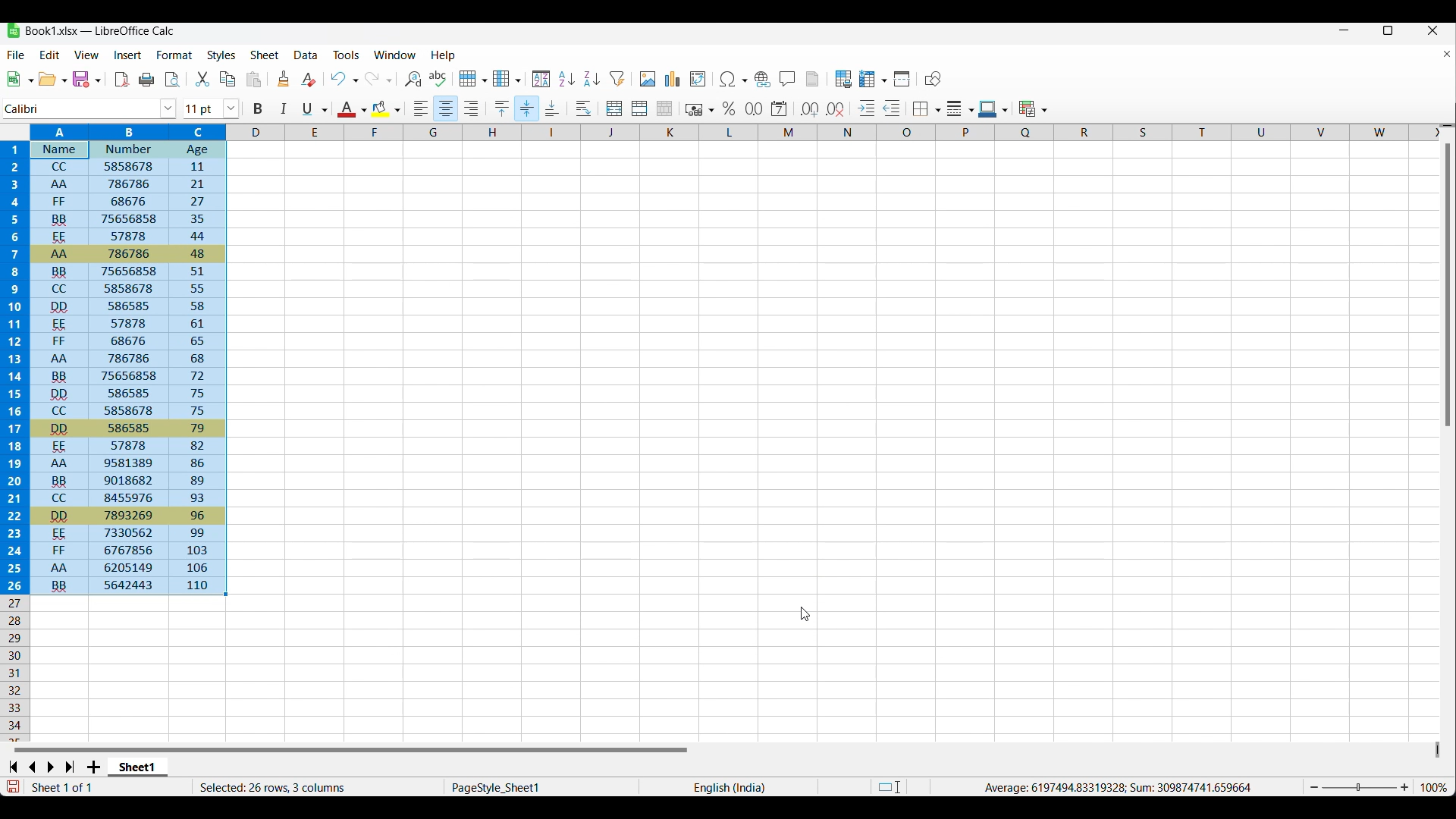 The width and height of the screenshot is (1456, 819). What do you see at coordinates (890, 787) in the screenshot?
I see `Standard selection` at bounding box center [890, 787].